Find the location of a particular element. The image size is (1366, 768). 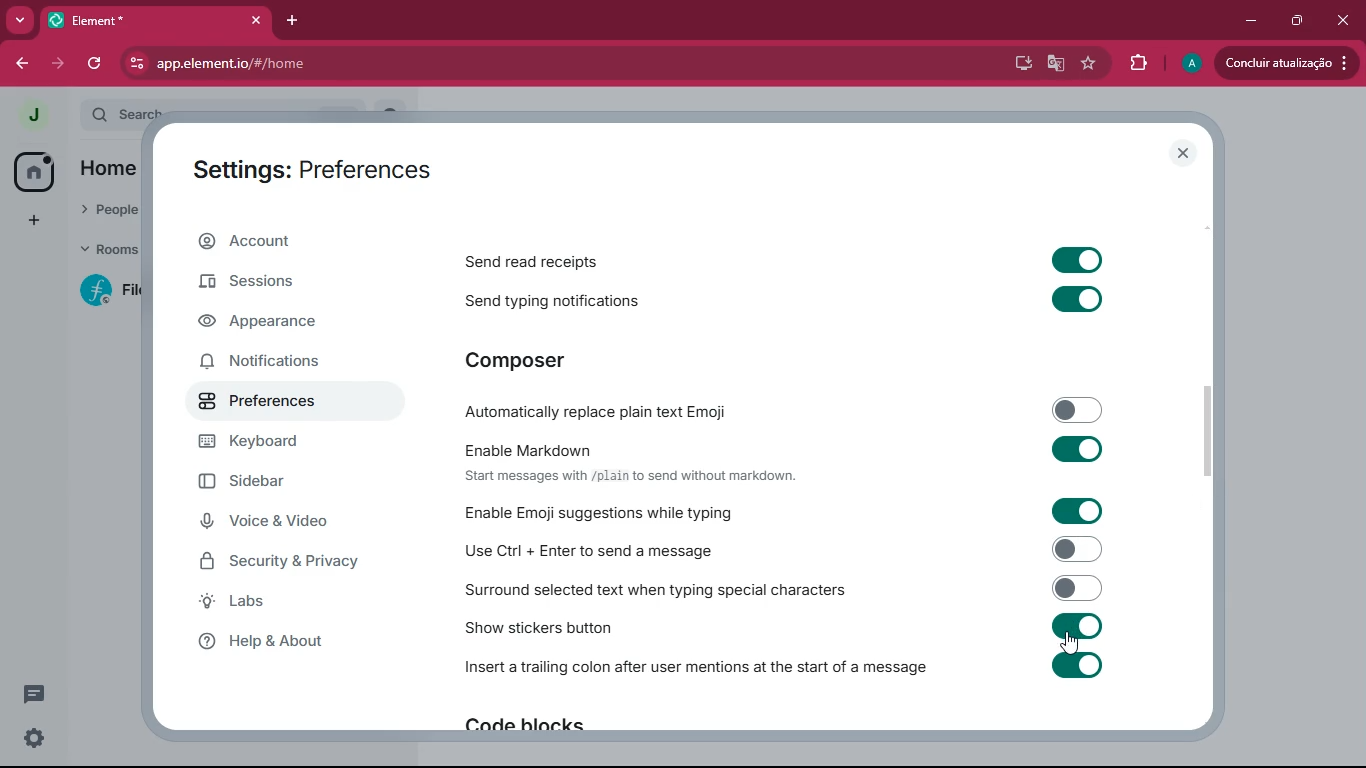

google translate is located at coordinates (1055, 64).